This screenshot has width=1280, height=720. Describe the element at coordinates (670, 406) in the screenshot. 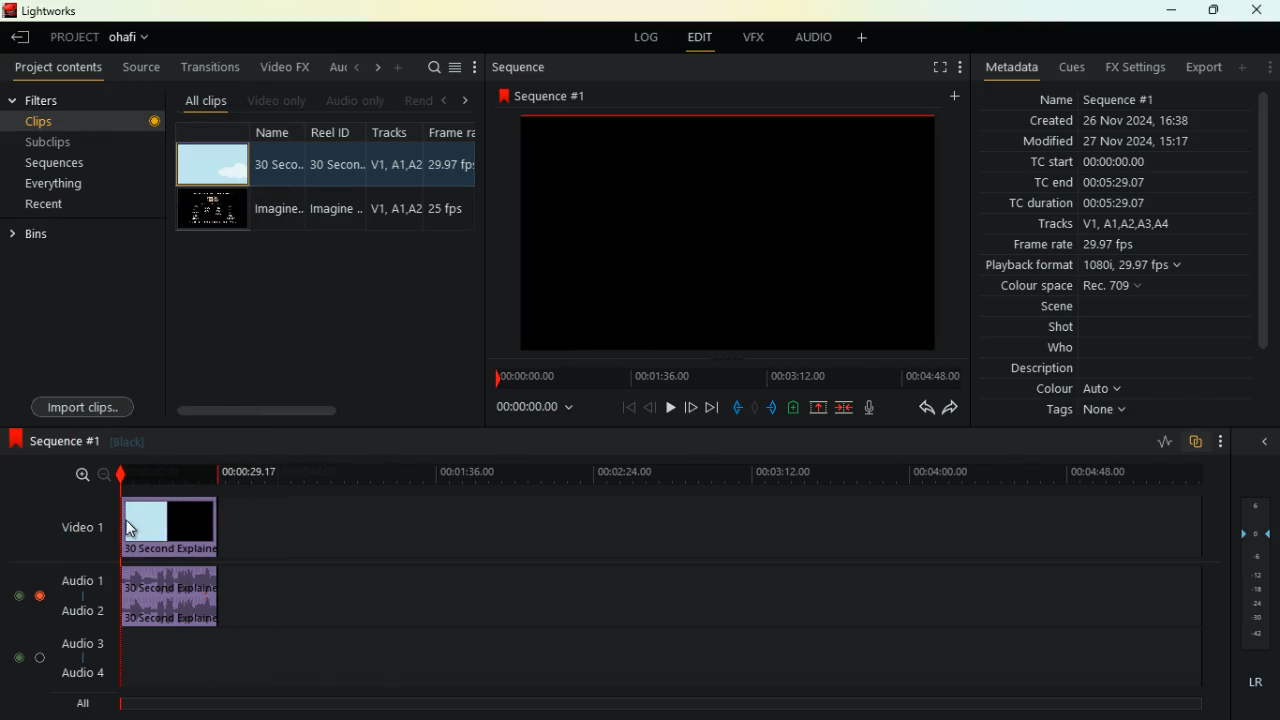

I see `play` at that location.